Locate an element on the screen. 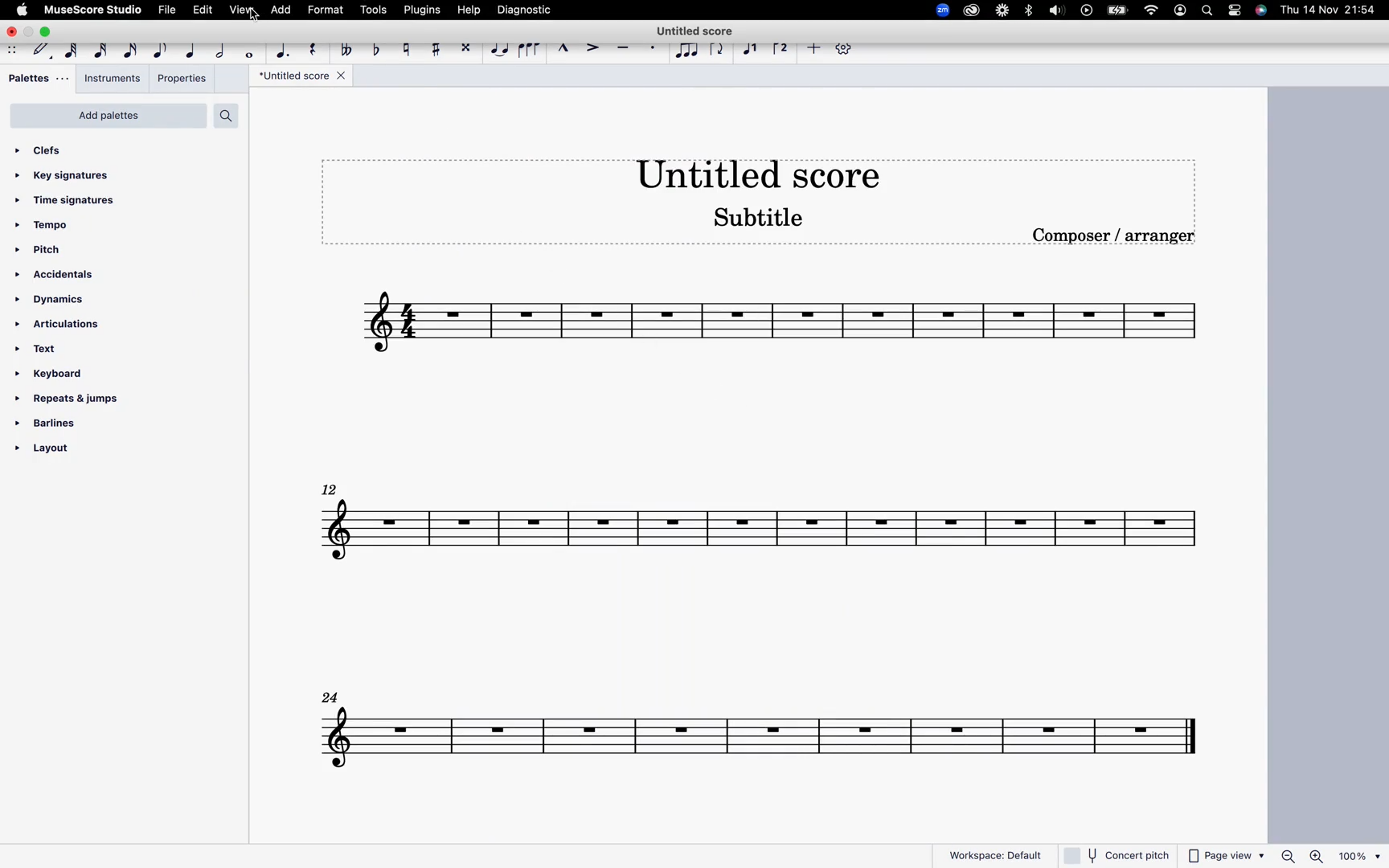 The width and height of the screenshot is (1389, 868). date and time is located at coordinates (1329, 11).